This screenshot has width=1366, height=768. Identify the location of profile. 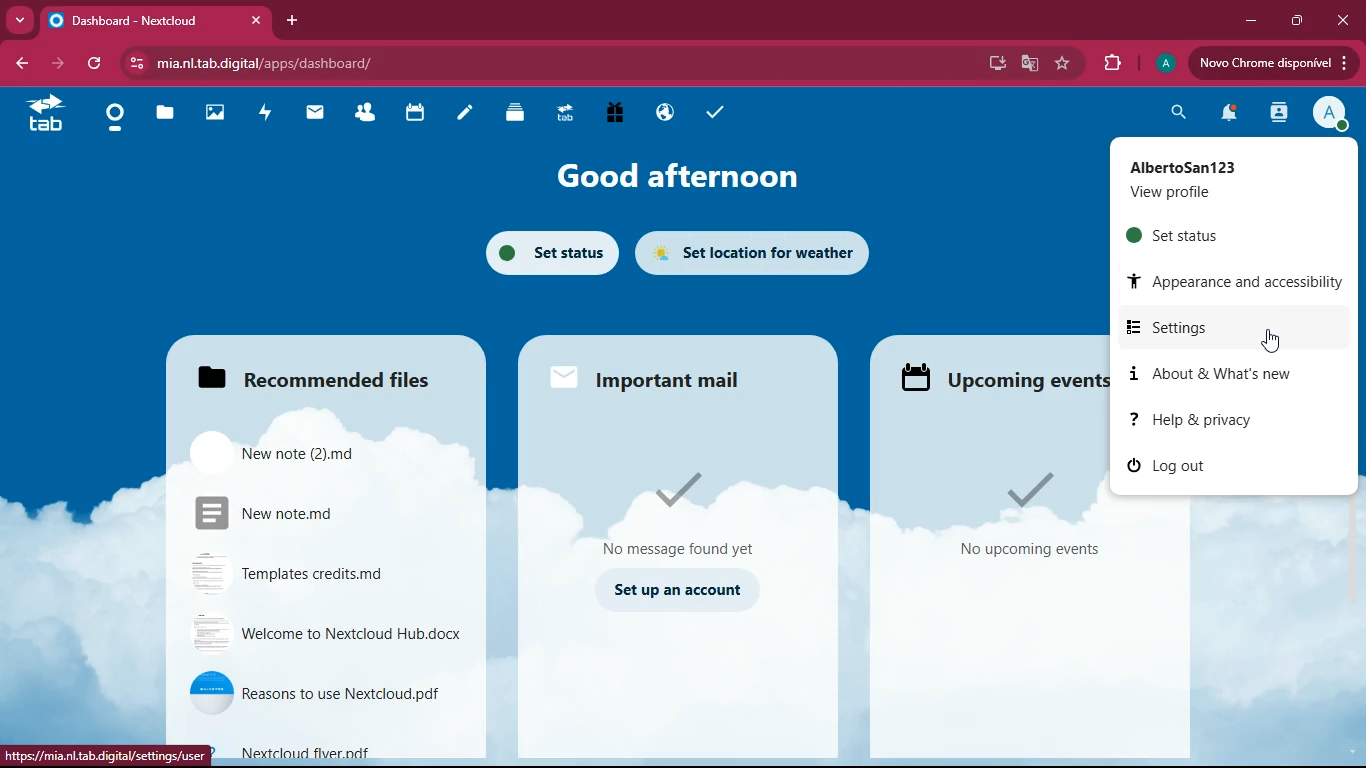
(1216, 180).